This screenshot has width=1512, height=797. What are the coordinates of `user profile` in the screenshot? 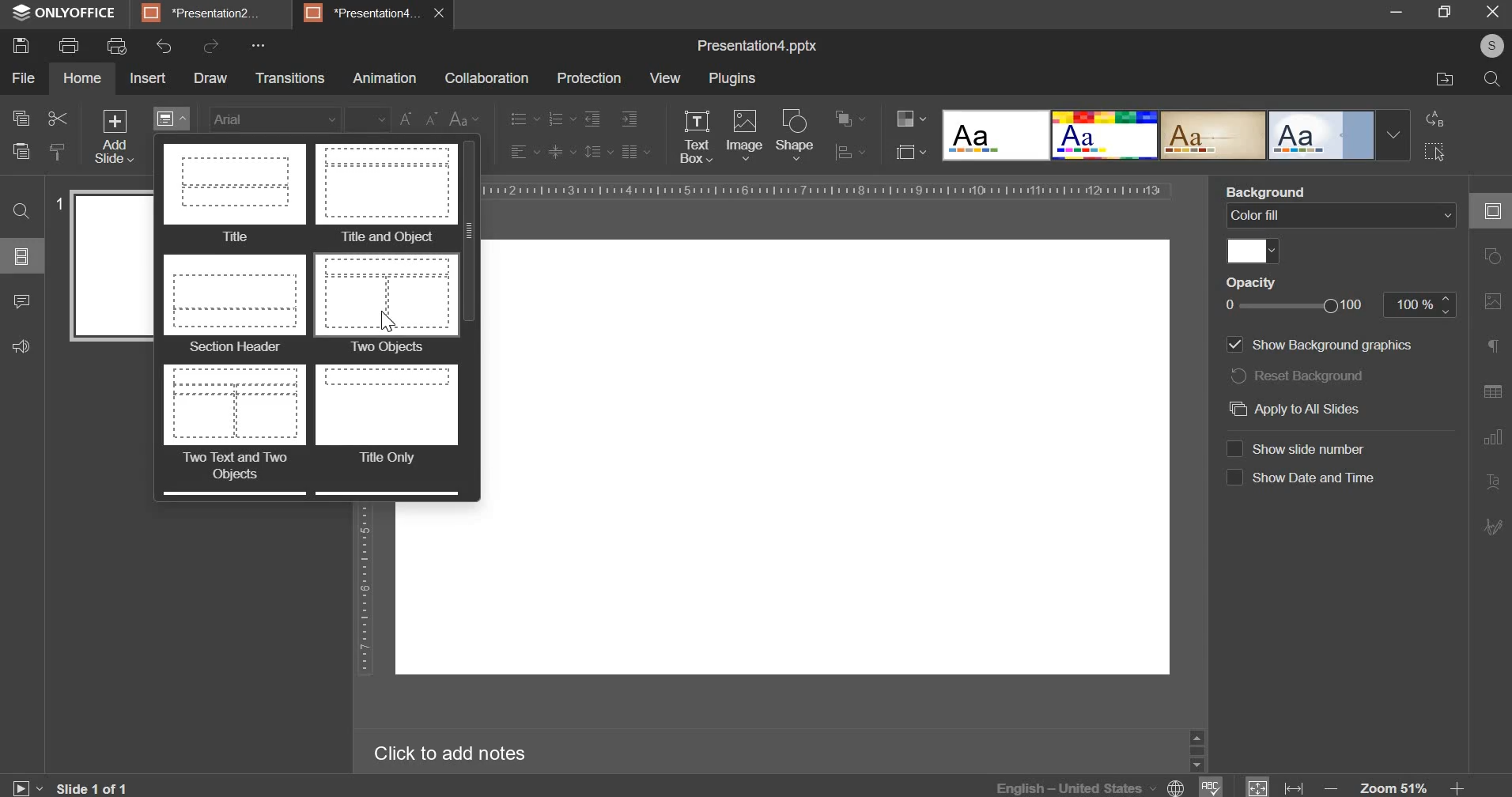 It's located at (1491, 46).